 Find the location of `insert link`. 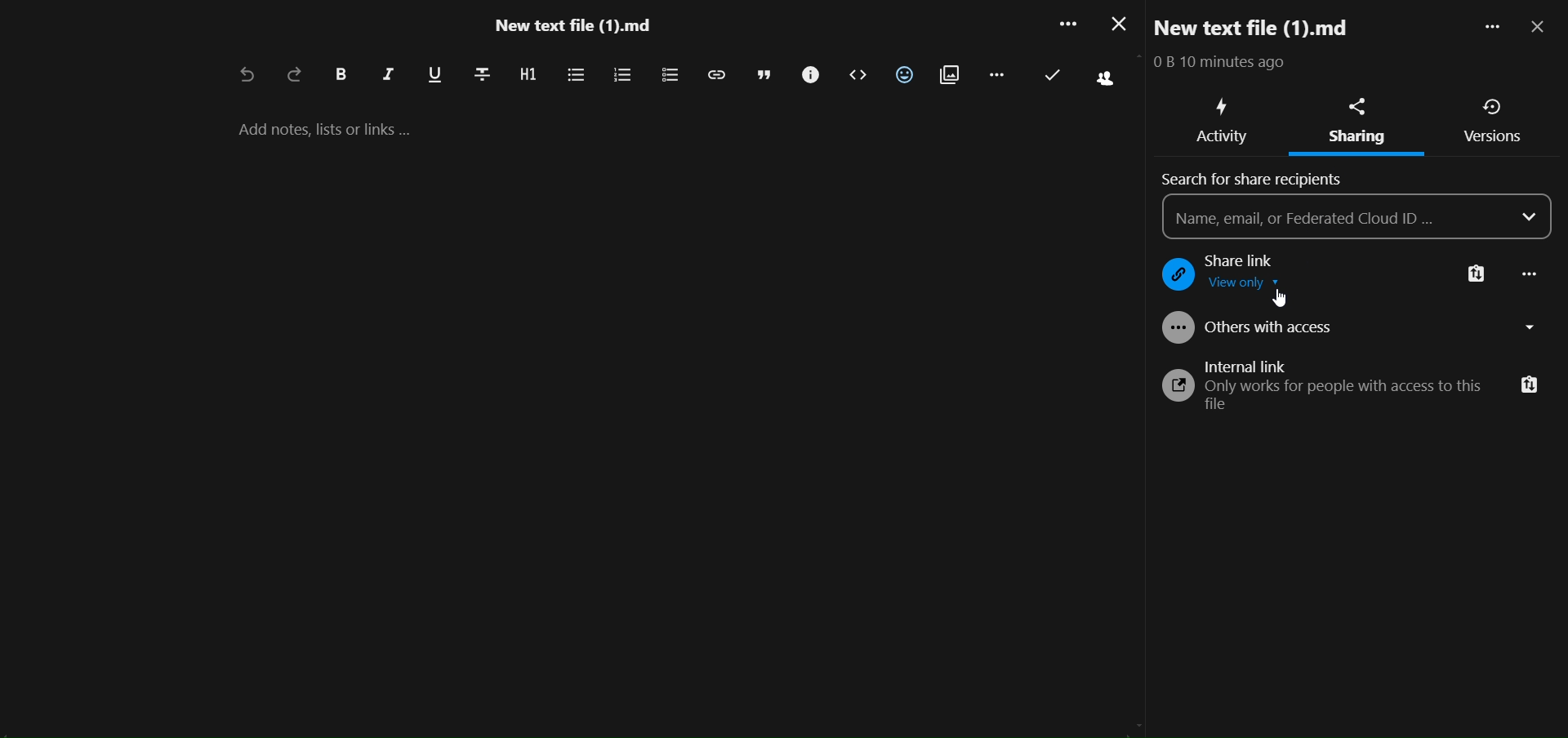

insert link is located at coordinates (715, 74).